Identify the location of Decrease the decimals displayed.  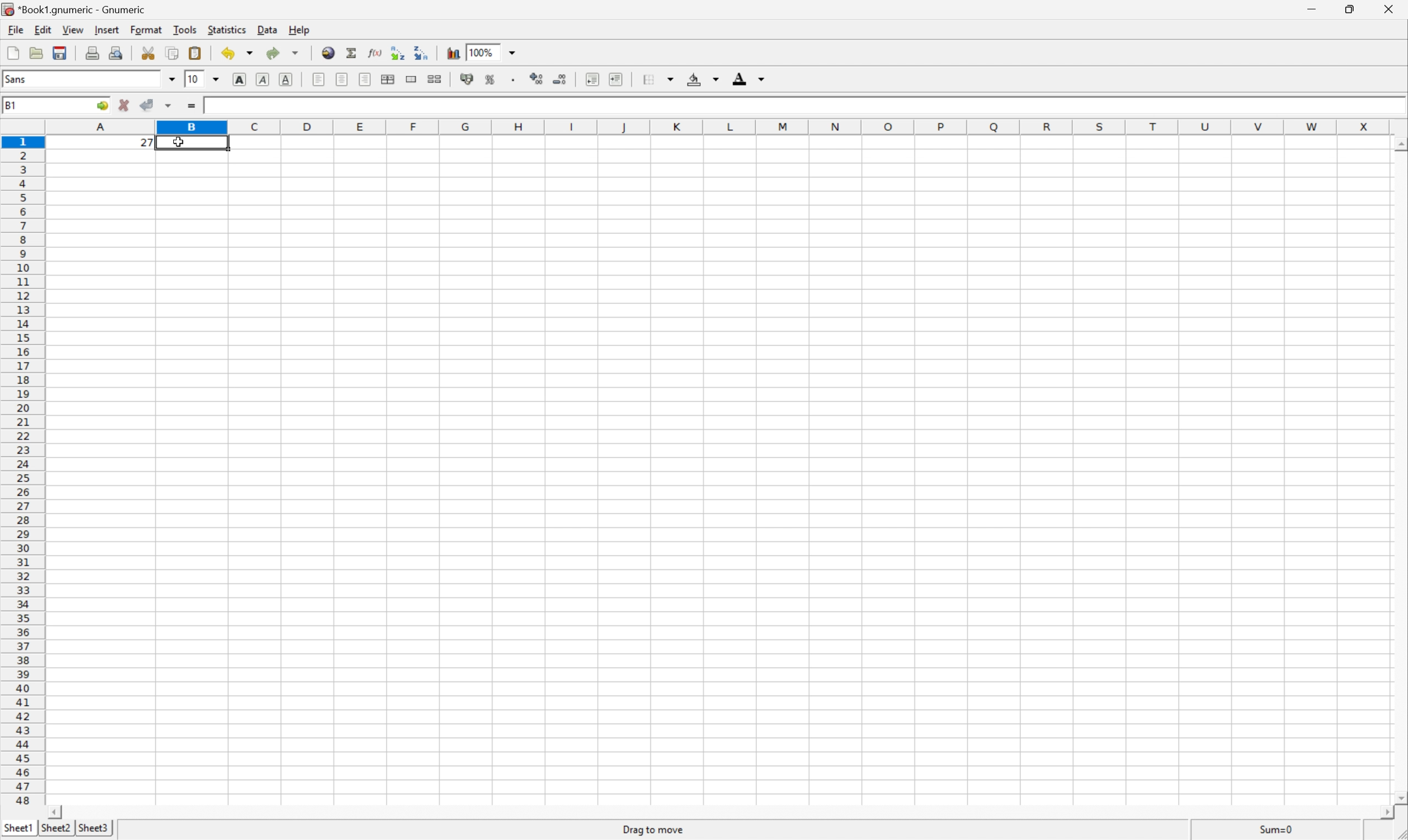
(559, 78).